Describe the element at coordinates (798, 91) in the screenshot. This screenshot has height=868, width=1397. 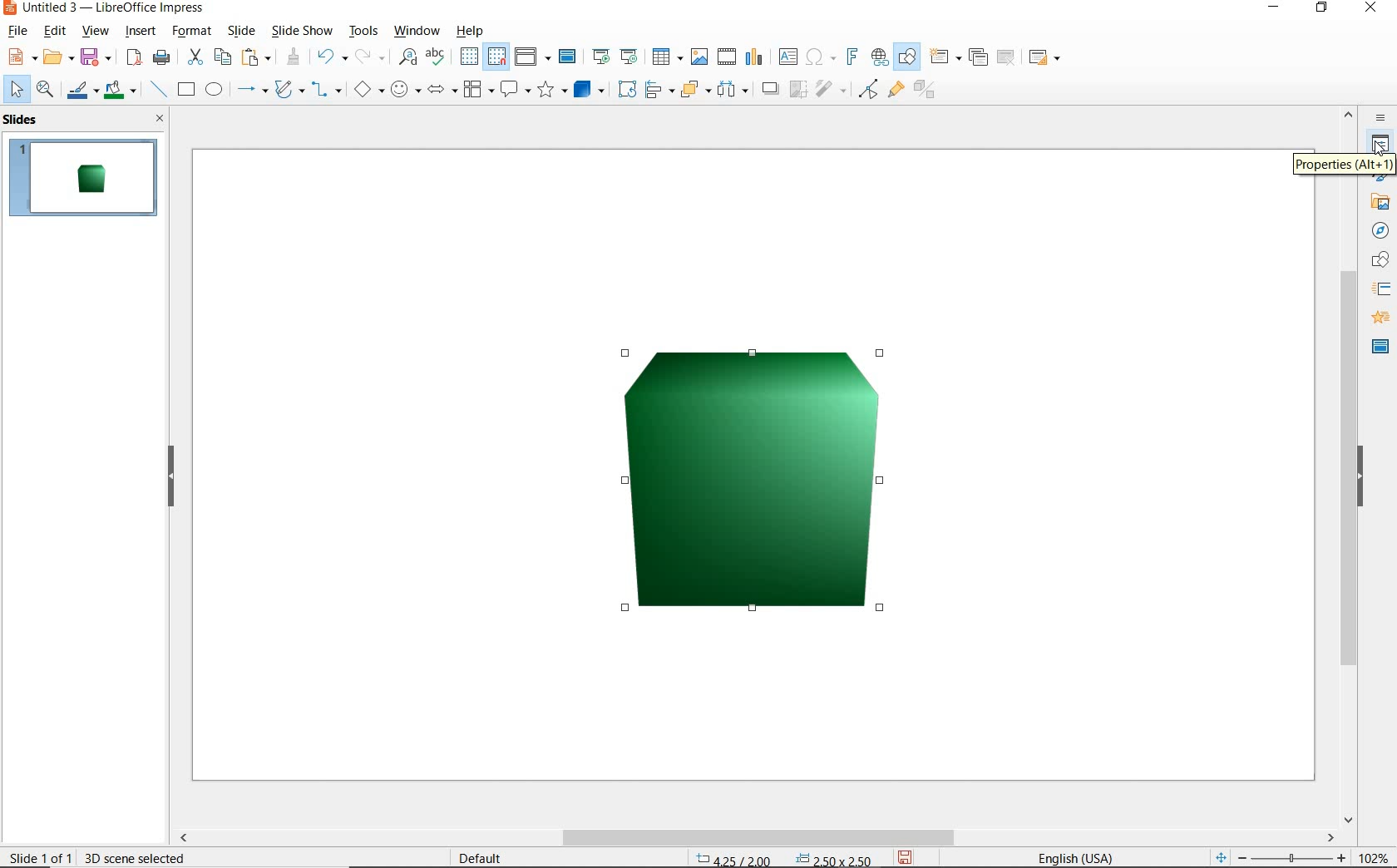
I see `CROP IMAGE` at that location.